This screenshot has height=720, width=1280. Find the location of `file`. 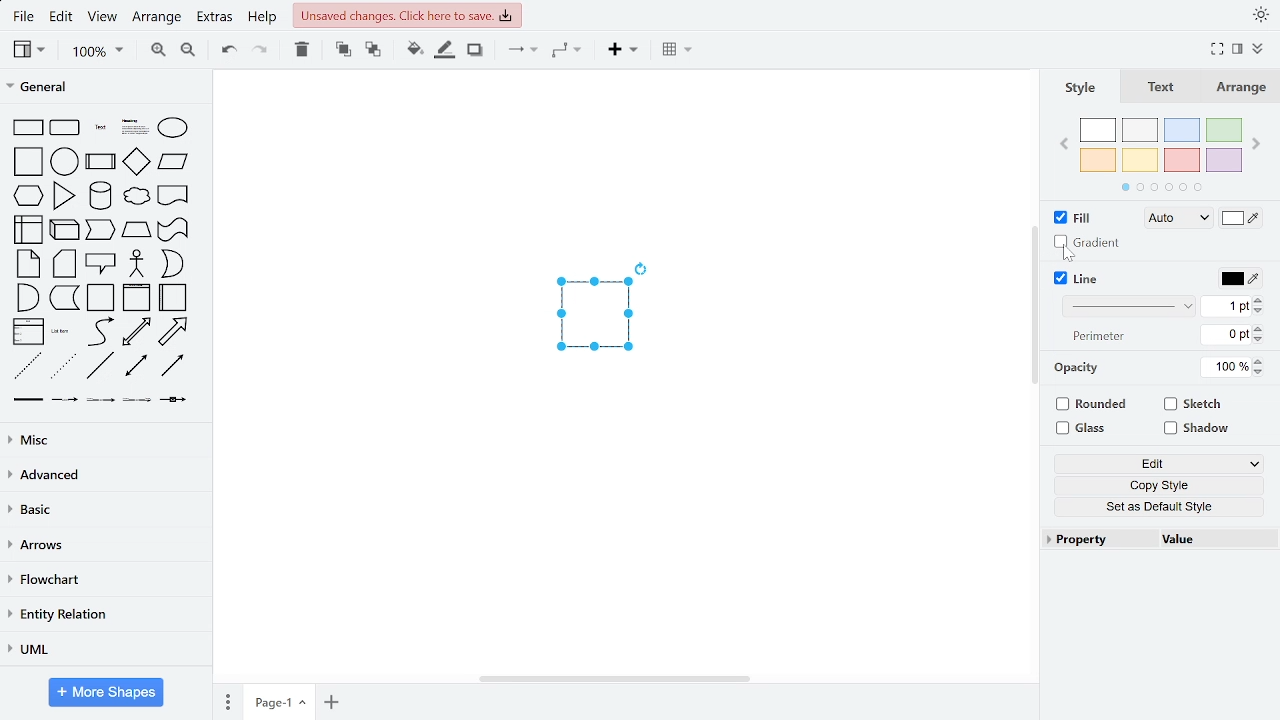

file is located at coordinates (22, 17).